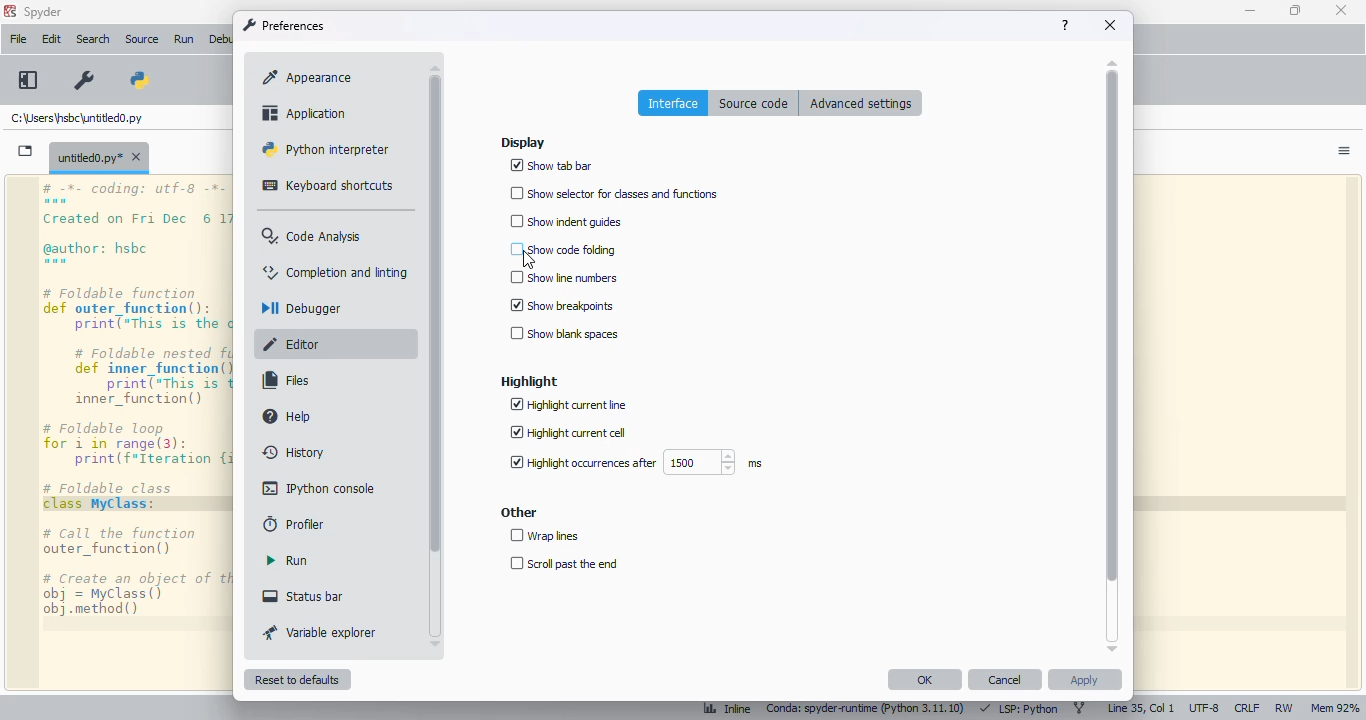 Image resolution: width=1366 pixels, height=720 pixels. I want to click on logo, so click(9, 11).